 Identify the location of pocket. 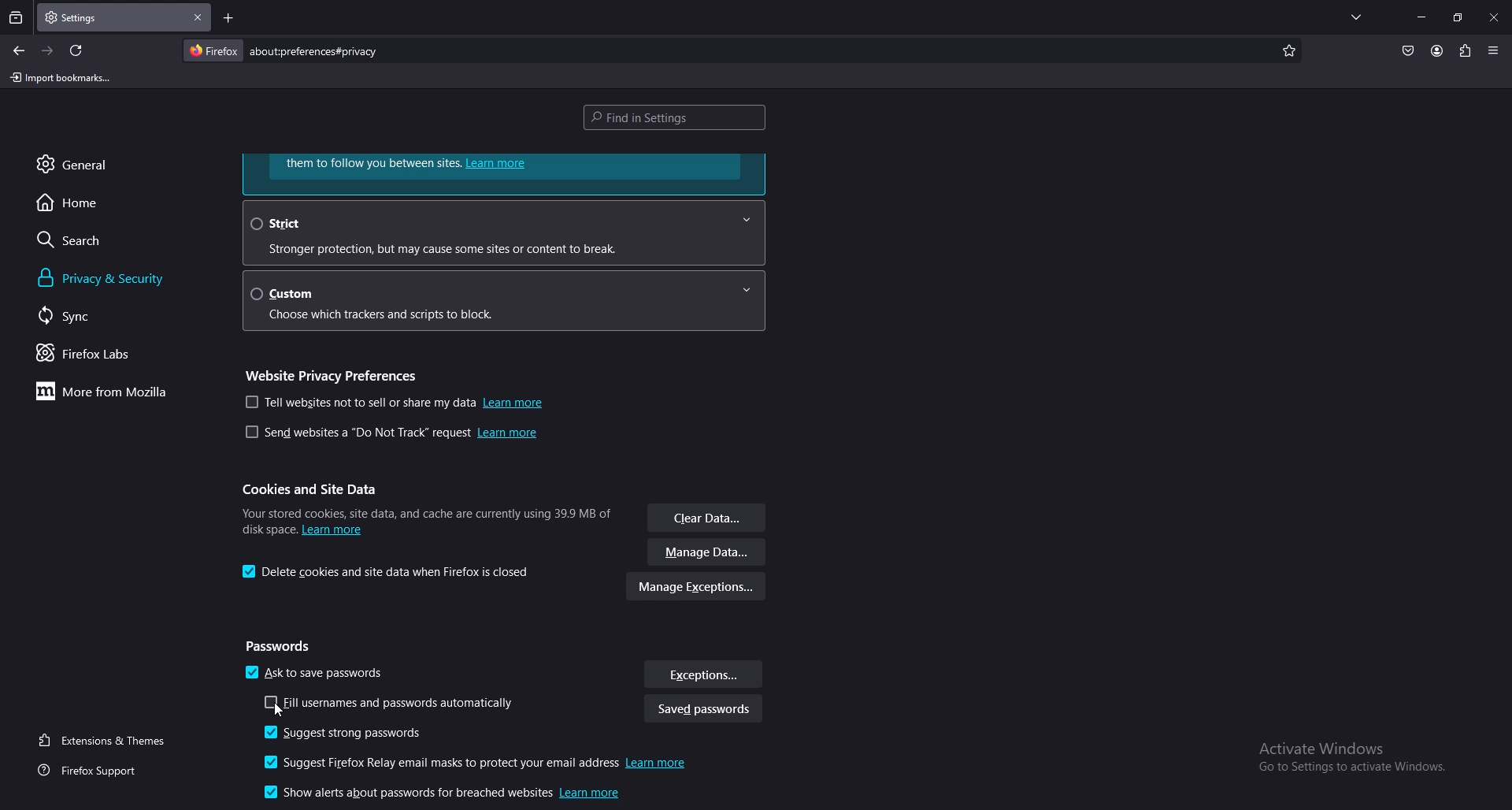
(1407, 50).